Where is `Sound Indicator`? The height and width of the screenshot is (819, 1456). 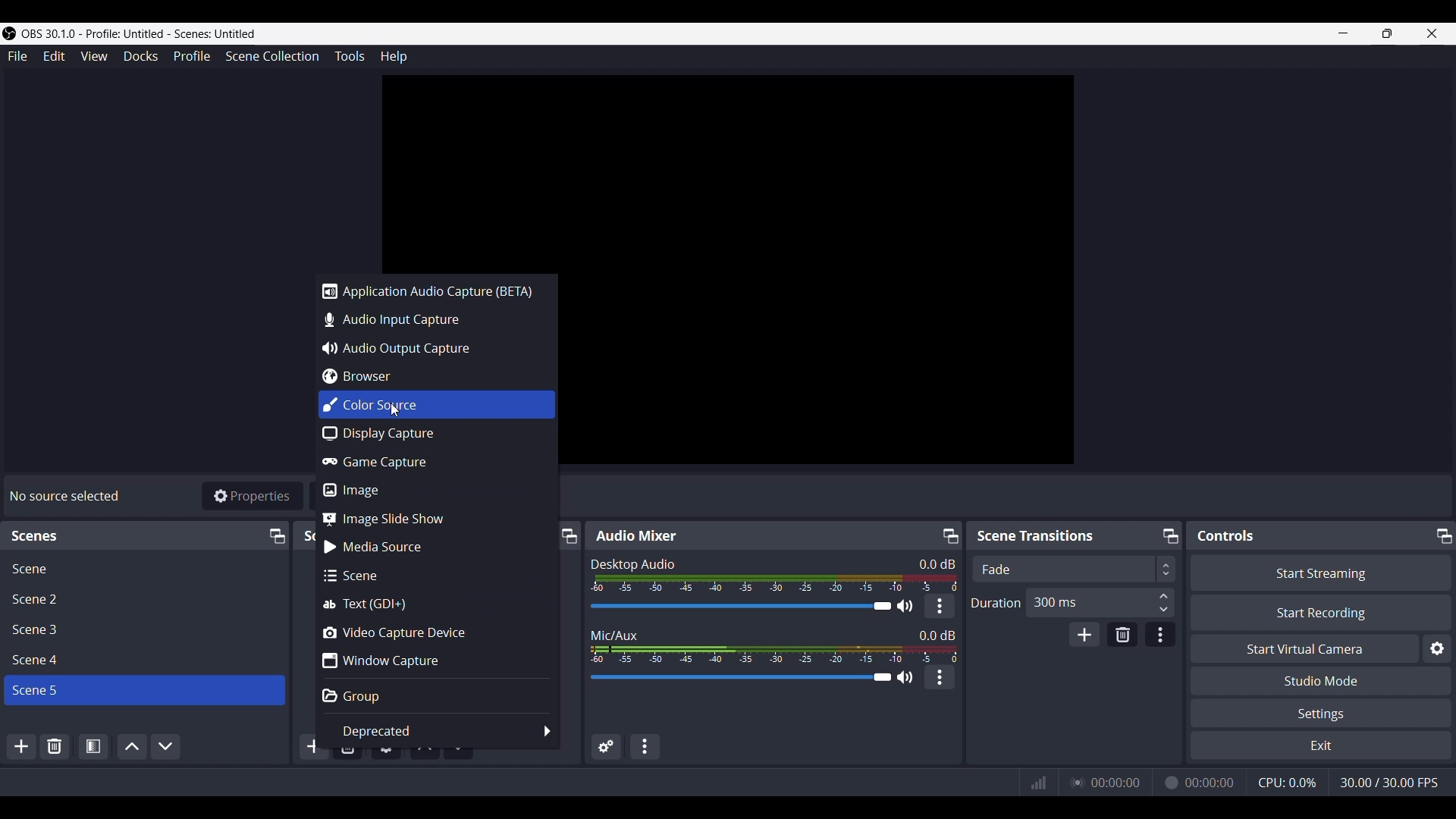
Sound Indicator is located at coordinates (771, 583).